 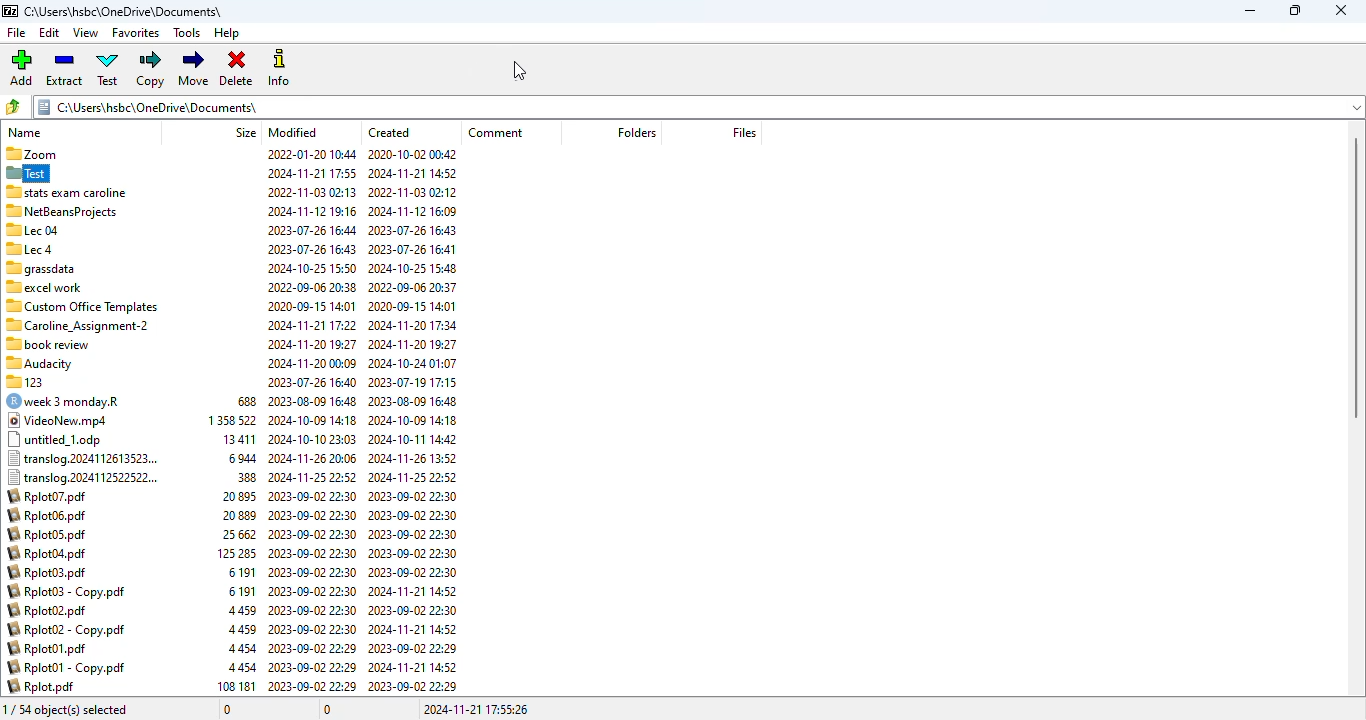 What do you see at coordinates (313, 628) in the screenshot?
I see `2023-09-02 22:30` at bounding box center [313, 628].